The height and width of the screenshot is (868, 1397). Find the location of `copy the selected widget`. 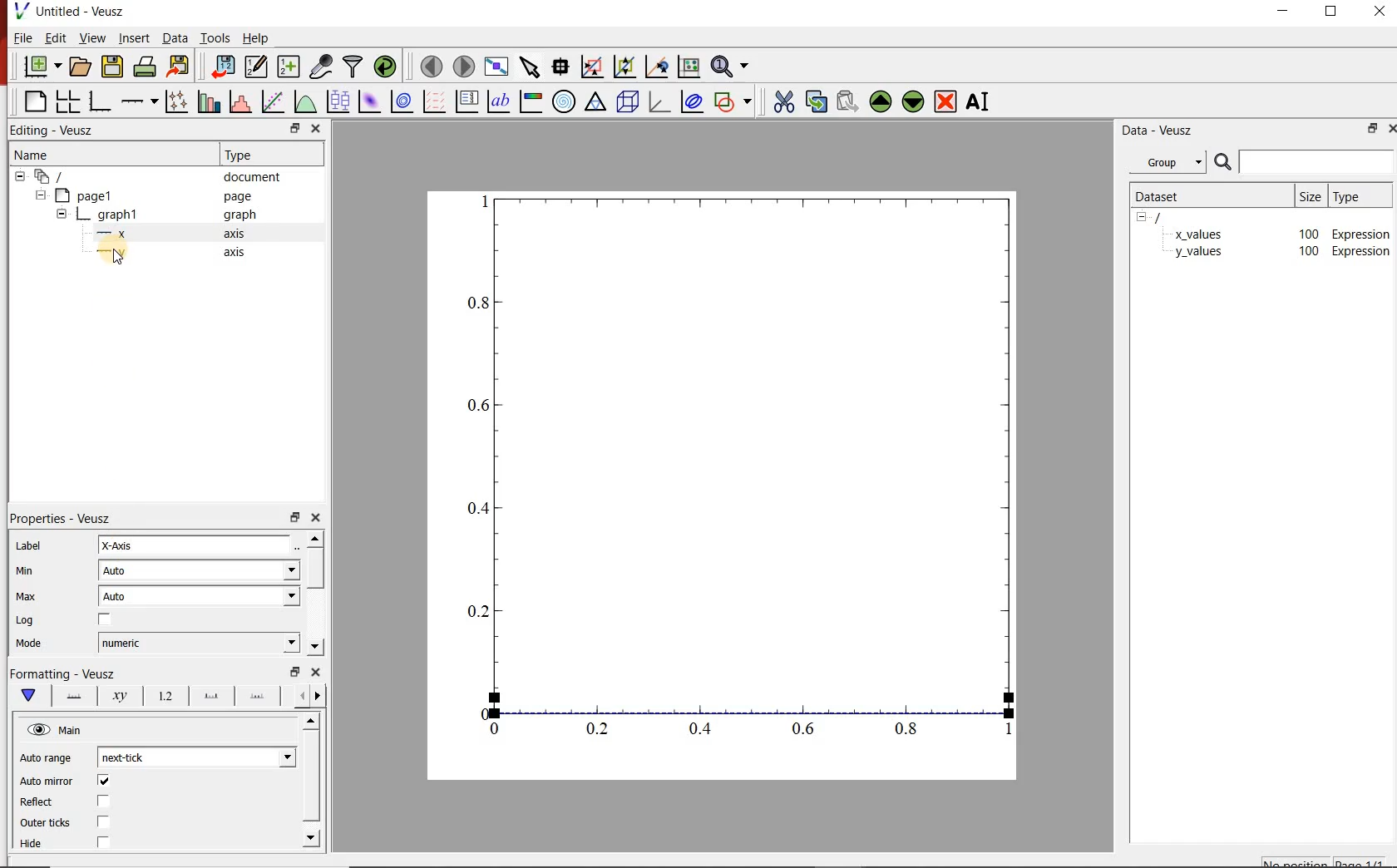

copy the selected widget is located at coordinates (815, 102).